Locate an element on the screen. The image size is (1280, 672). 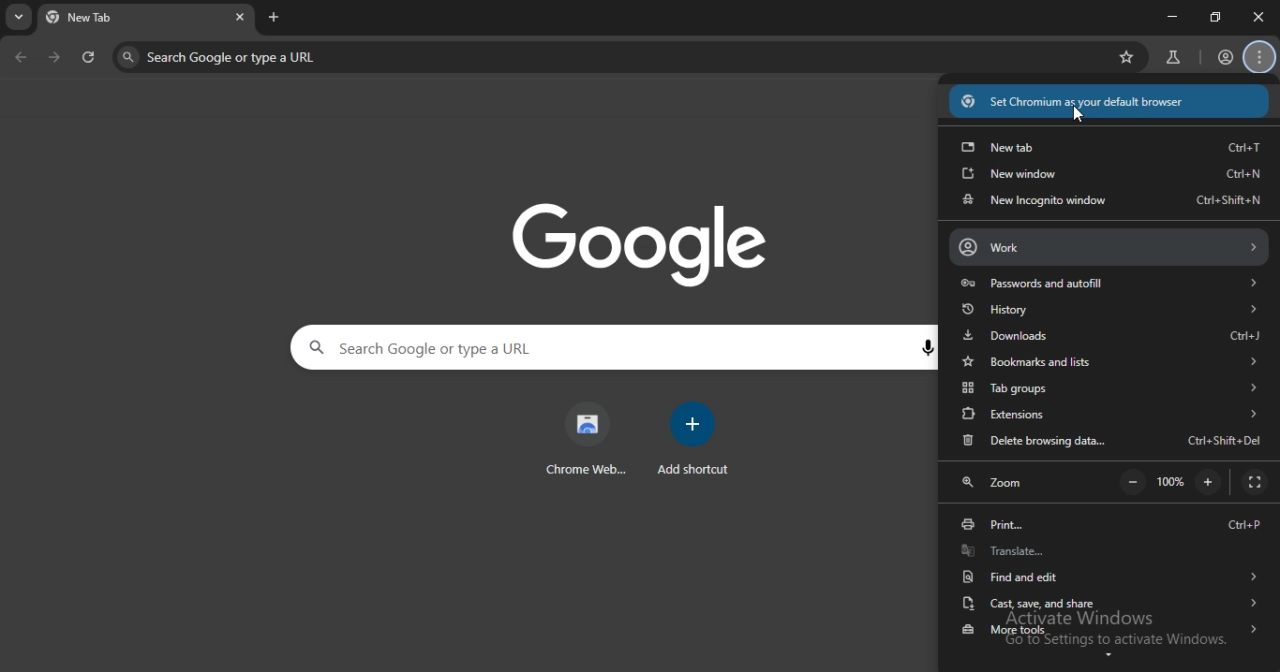
current tab is located at coordinates (137, 19).